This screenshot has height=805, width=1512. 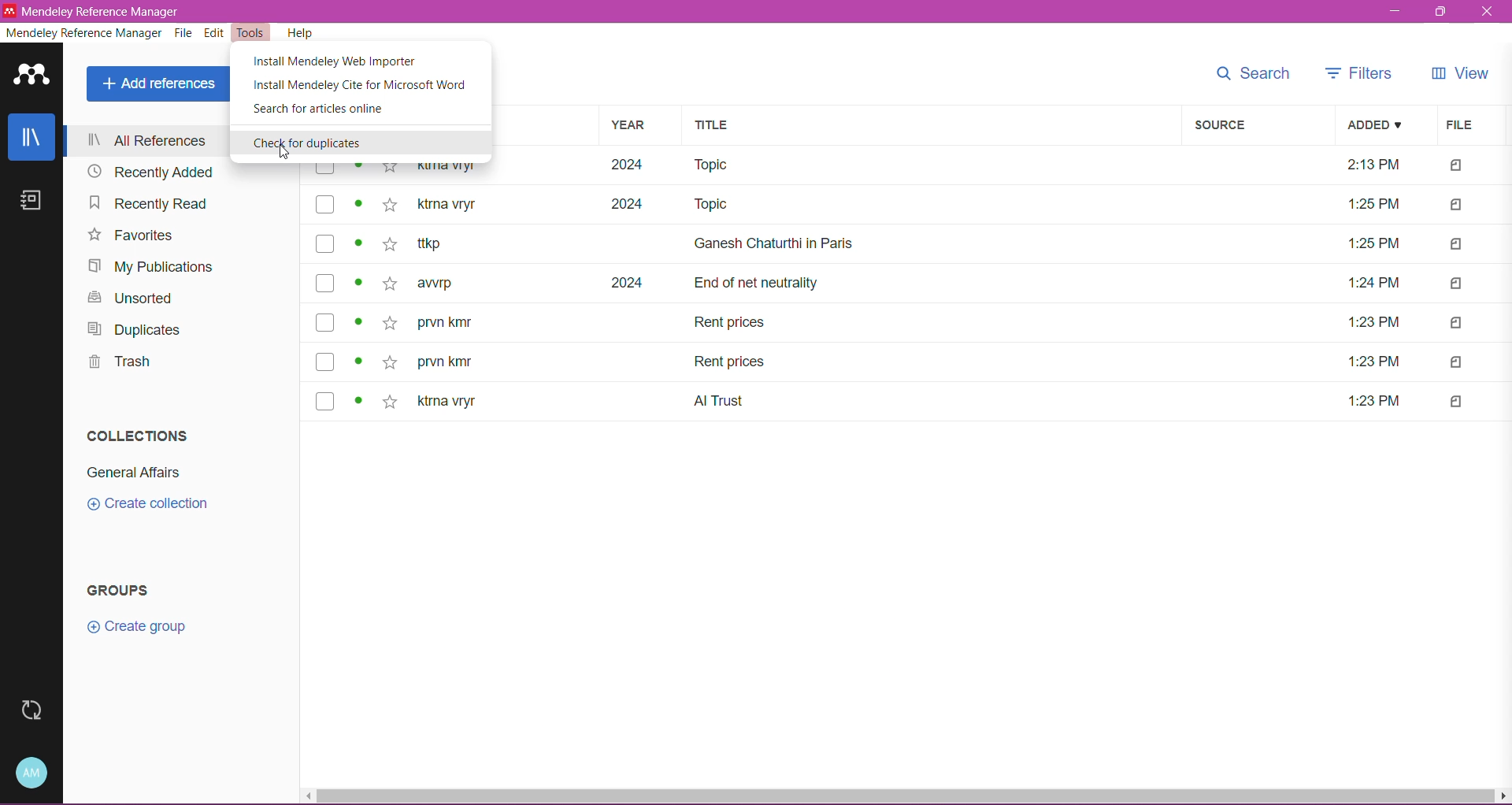 What do you see at coordinates (393, 284) in the screenshot?
I see `favourite` at bounding box center [393, 284].